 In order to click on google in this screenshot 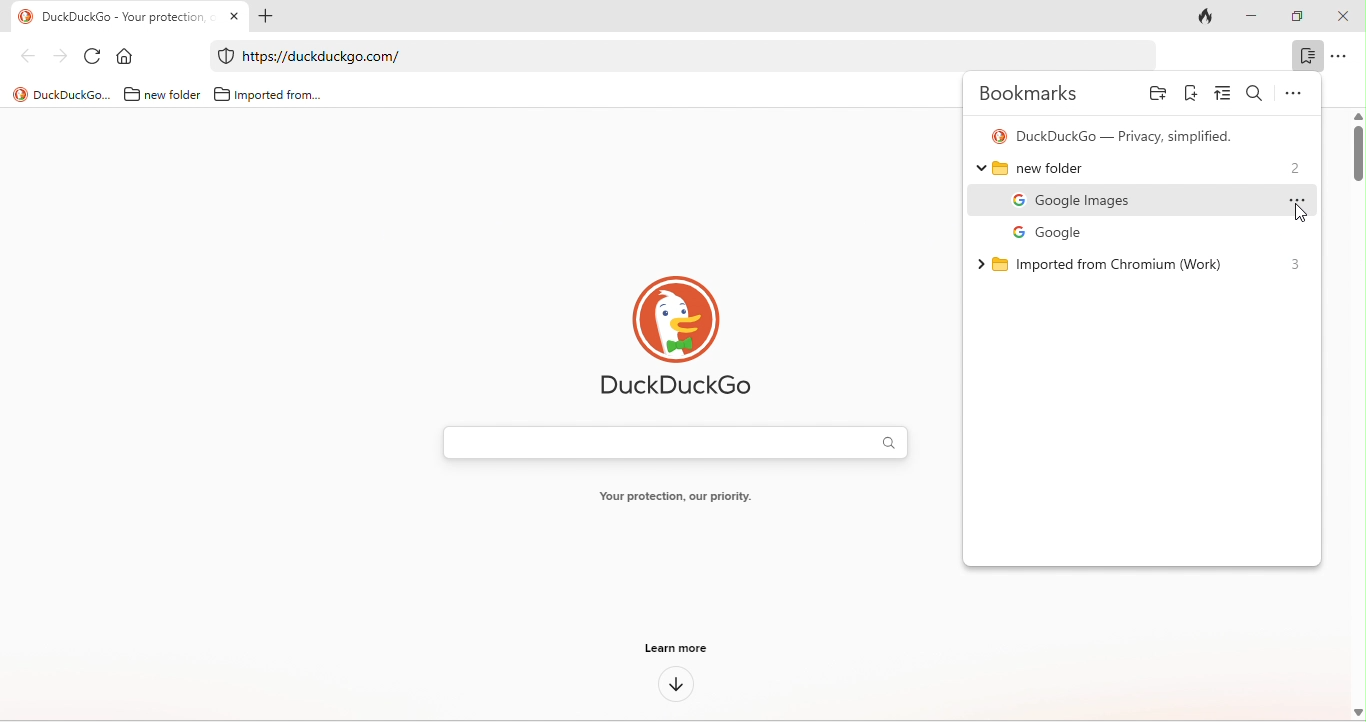, I will do `click(1039, 231)`.